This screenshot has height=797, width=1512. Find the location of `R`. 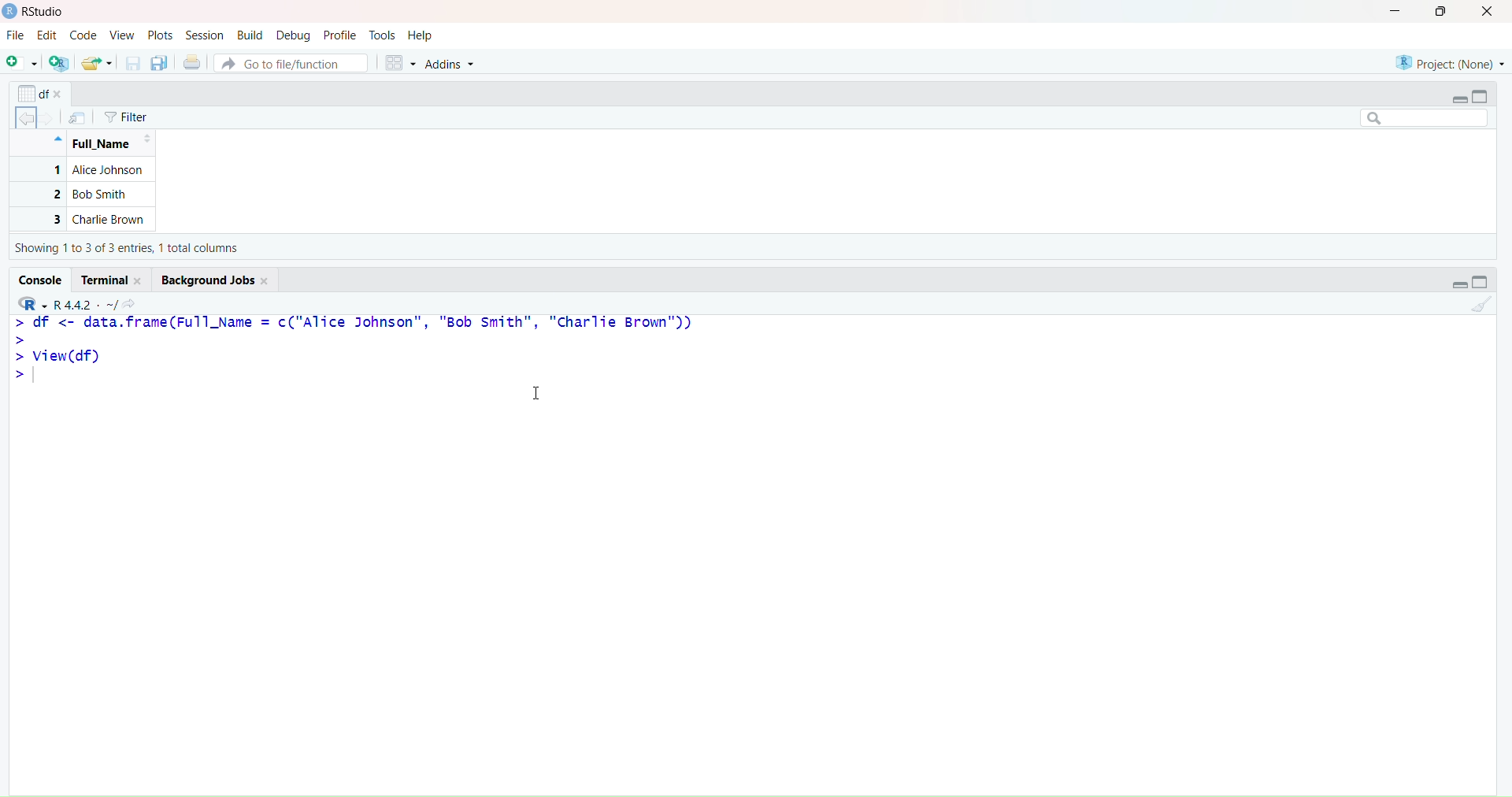

R is located at coordinates (31, 301).